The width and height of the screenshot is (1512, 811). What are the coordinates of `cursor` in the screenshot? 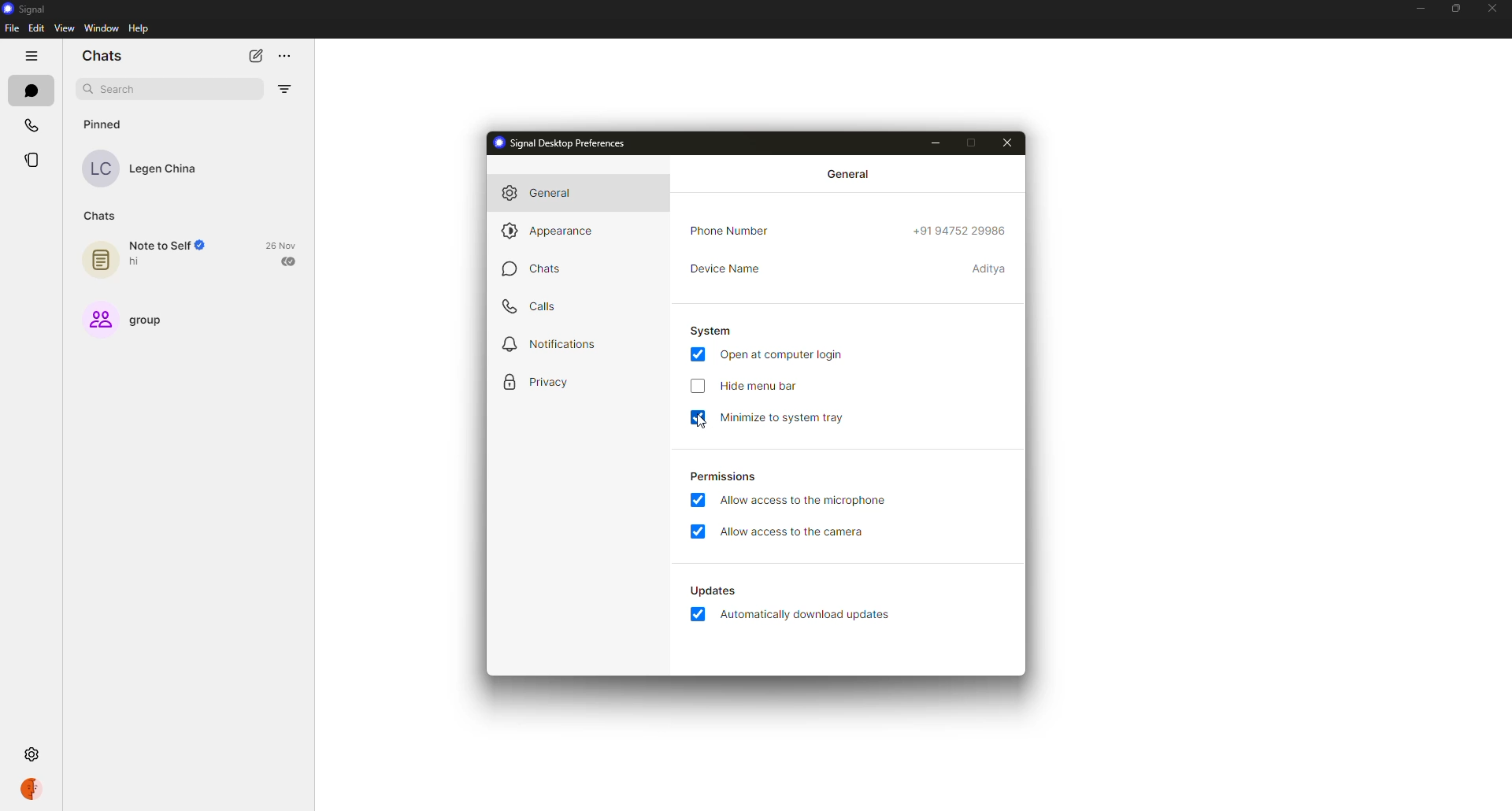 It's located at (704, 421).